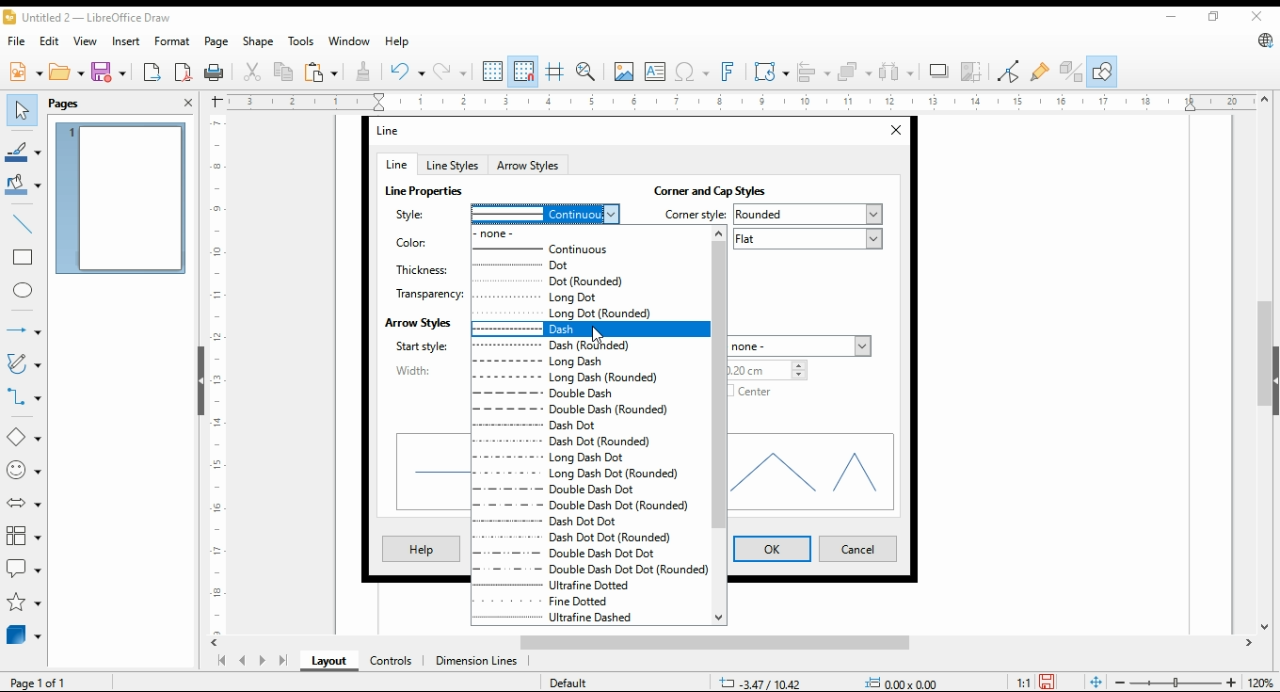 This screenshot has width=1280, height=692. Describe the element at coordinates (23, 331) in the screenshot. I see `lines and arrows` at that location.